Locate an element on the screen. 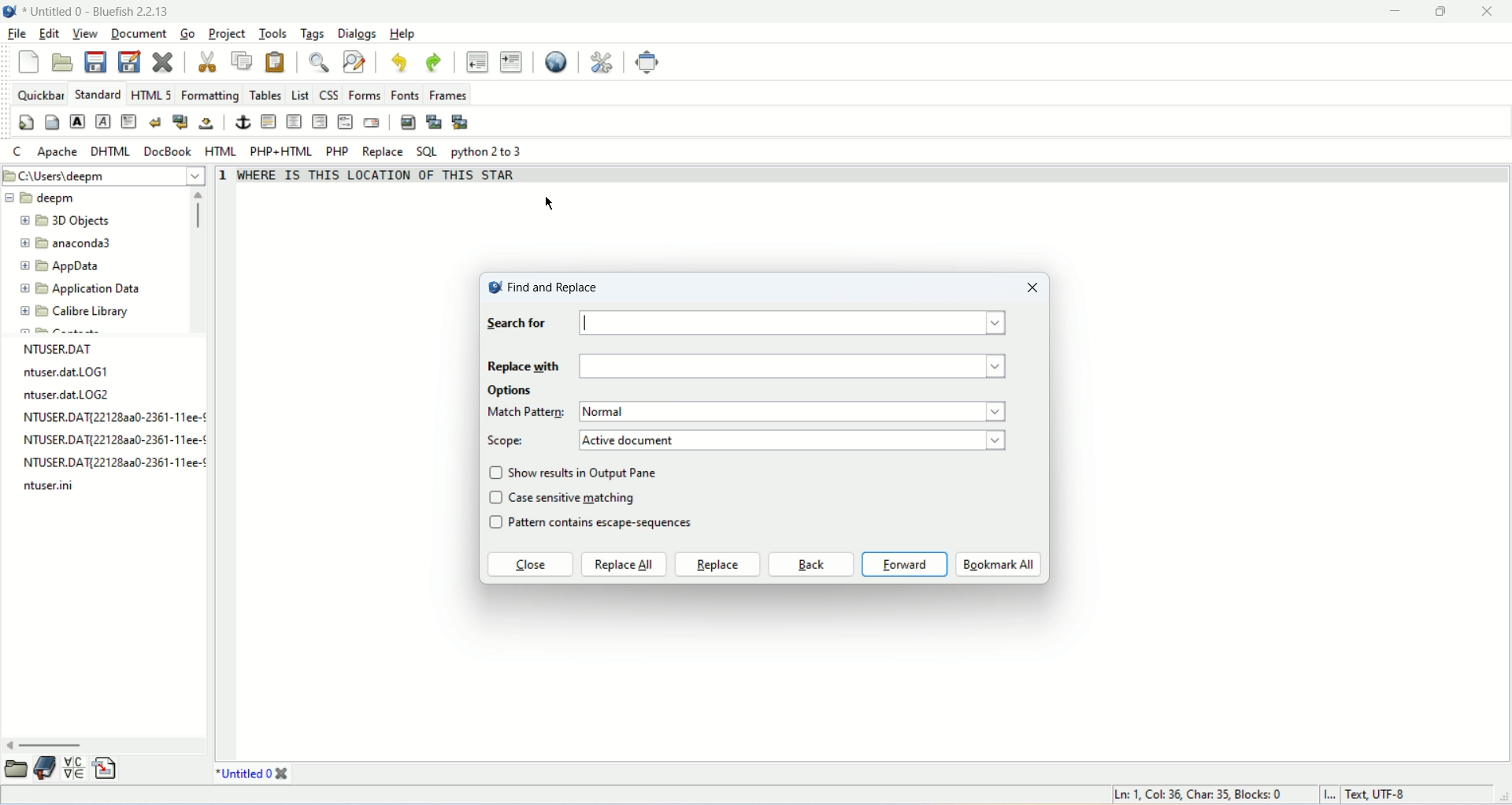 The image size is (1512, 805). case sensitive matching is located at coordinates (575, 497).